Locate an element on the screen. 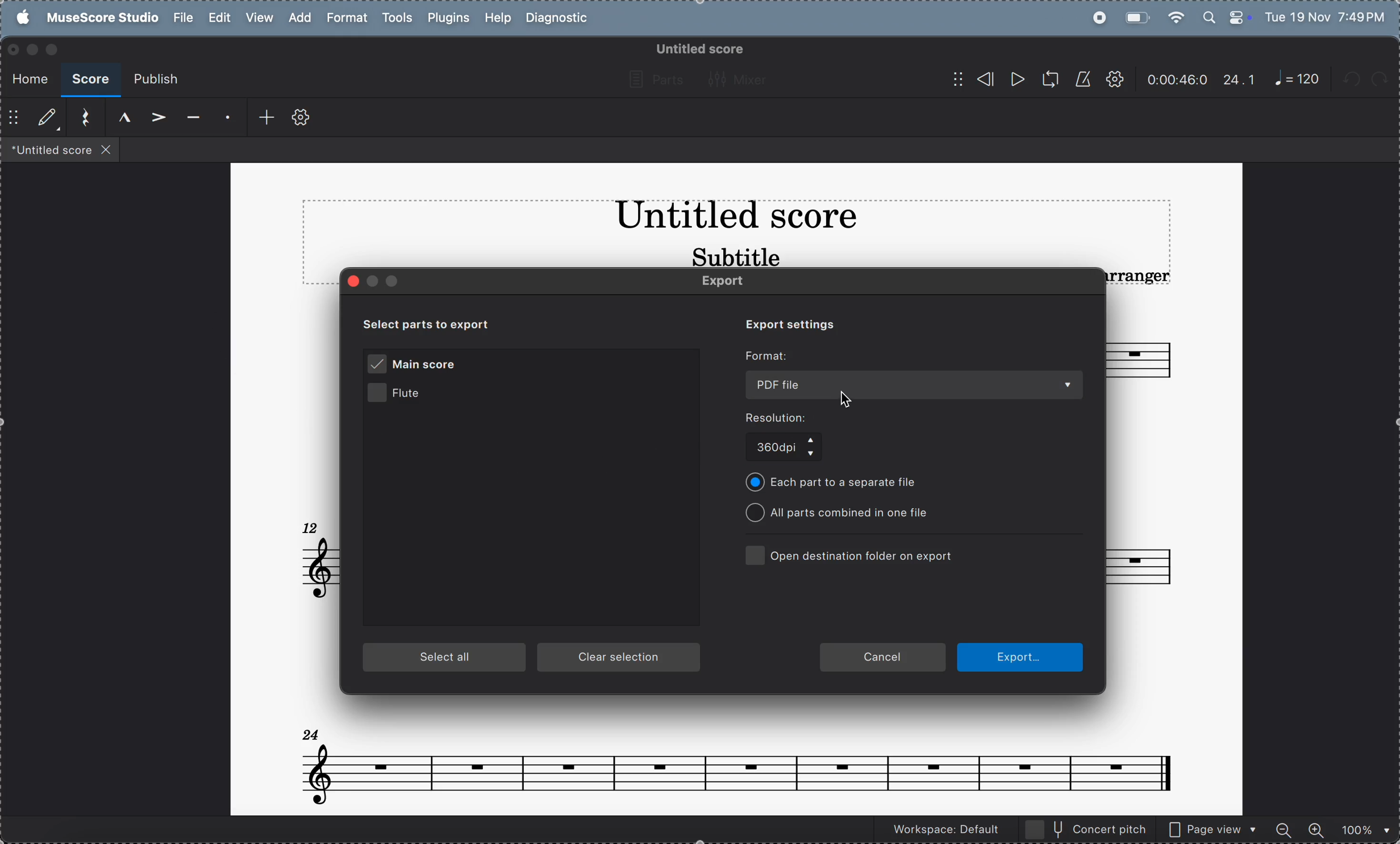 The image size is (1400, 844). timeframe is located at coordinates (1177, 79).